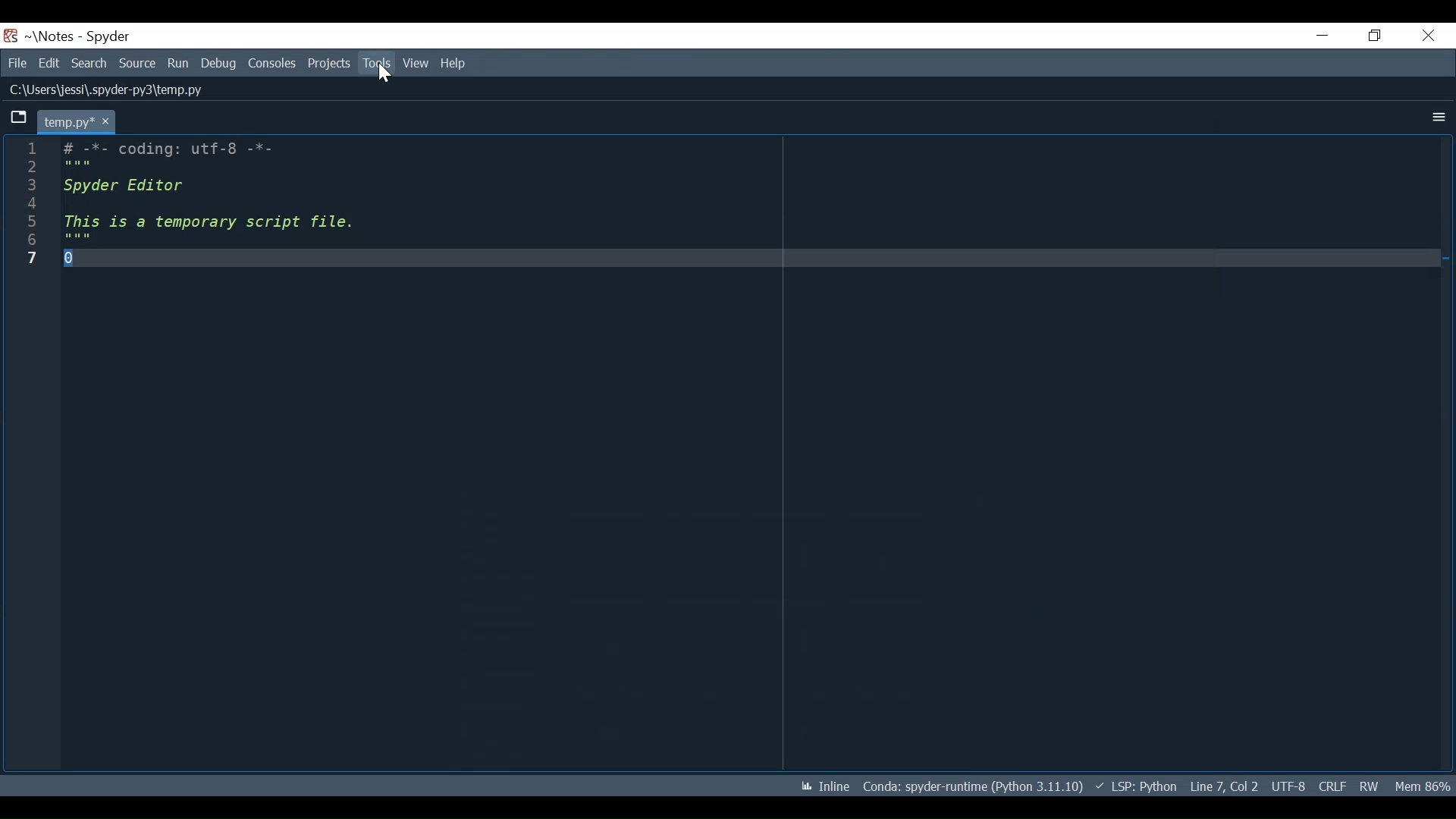 This screenshot has width=1456, height=819. Describe the element at coordinates (104, 89) in the screenshot. I see `File Path` at that location.